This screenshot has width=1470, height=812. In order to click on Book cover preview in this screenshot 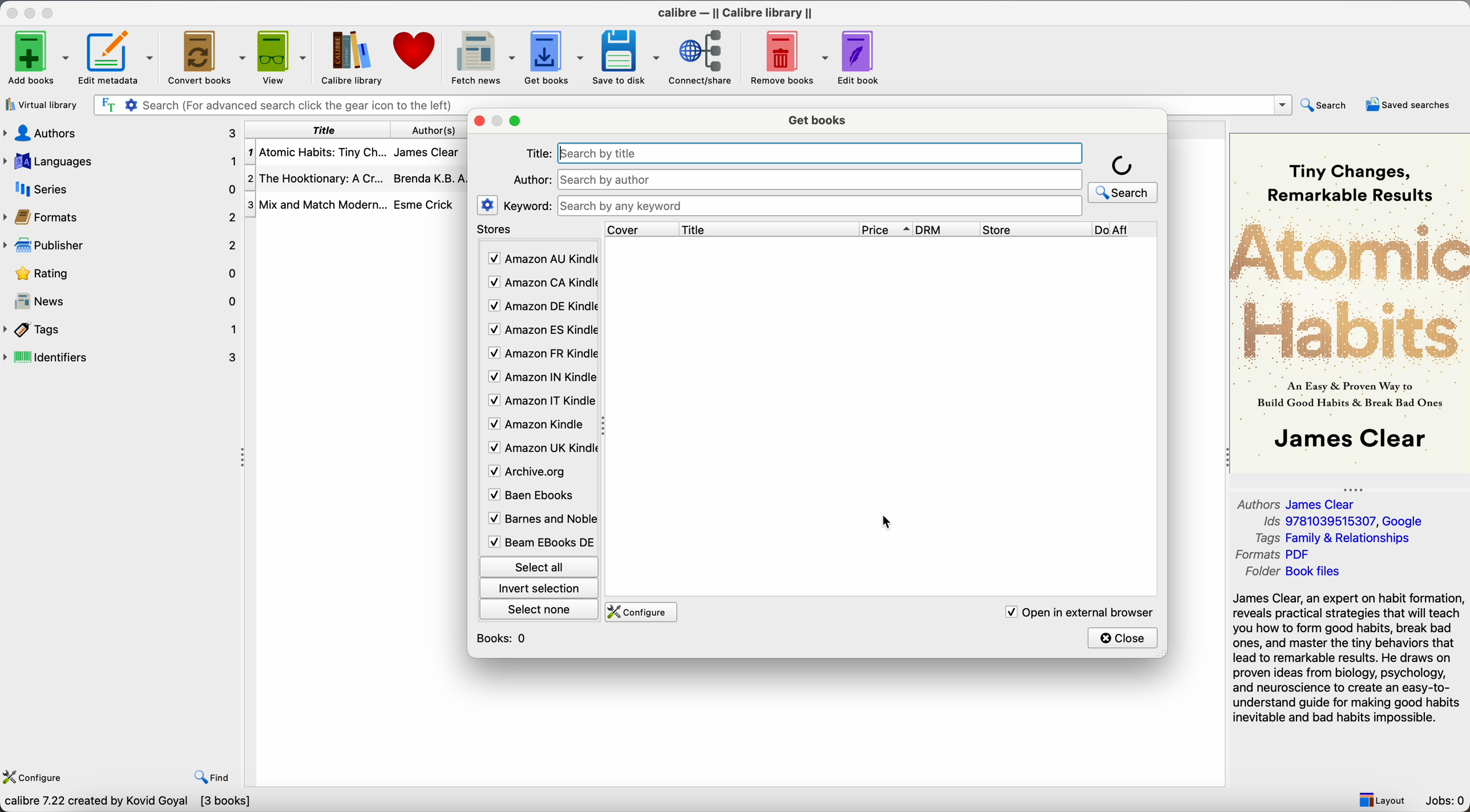, I will do `click(1350, 302)`.